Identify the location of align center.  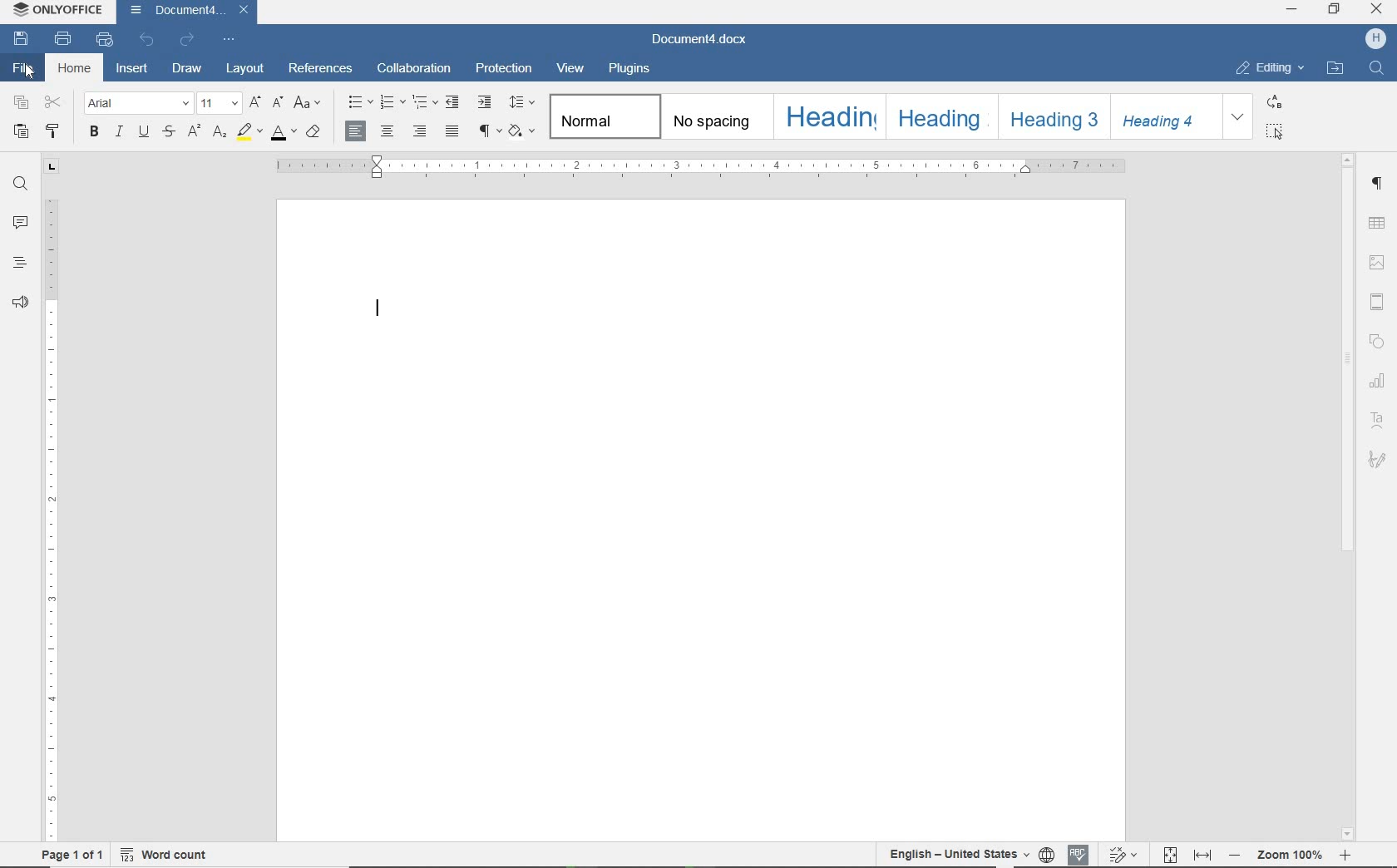
(388, 132).